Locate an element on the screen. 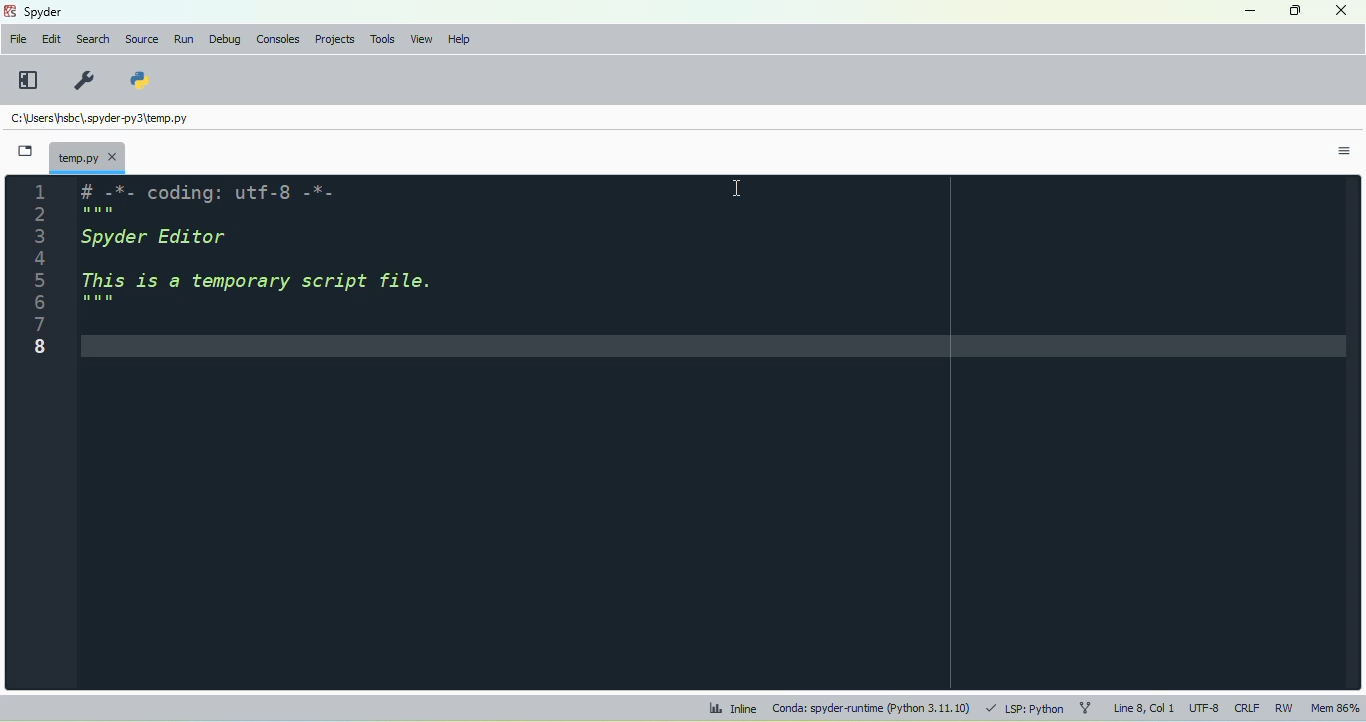  help is located at coordinates (458, 39).